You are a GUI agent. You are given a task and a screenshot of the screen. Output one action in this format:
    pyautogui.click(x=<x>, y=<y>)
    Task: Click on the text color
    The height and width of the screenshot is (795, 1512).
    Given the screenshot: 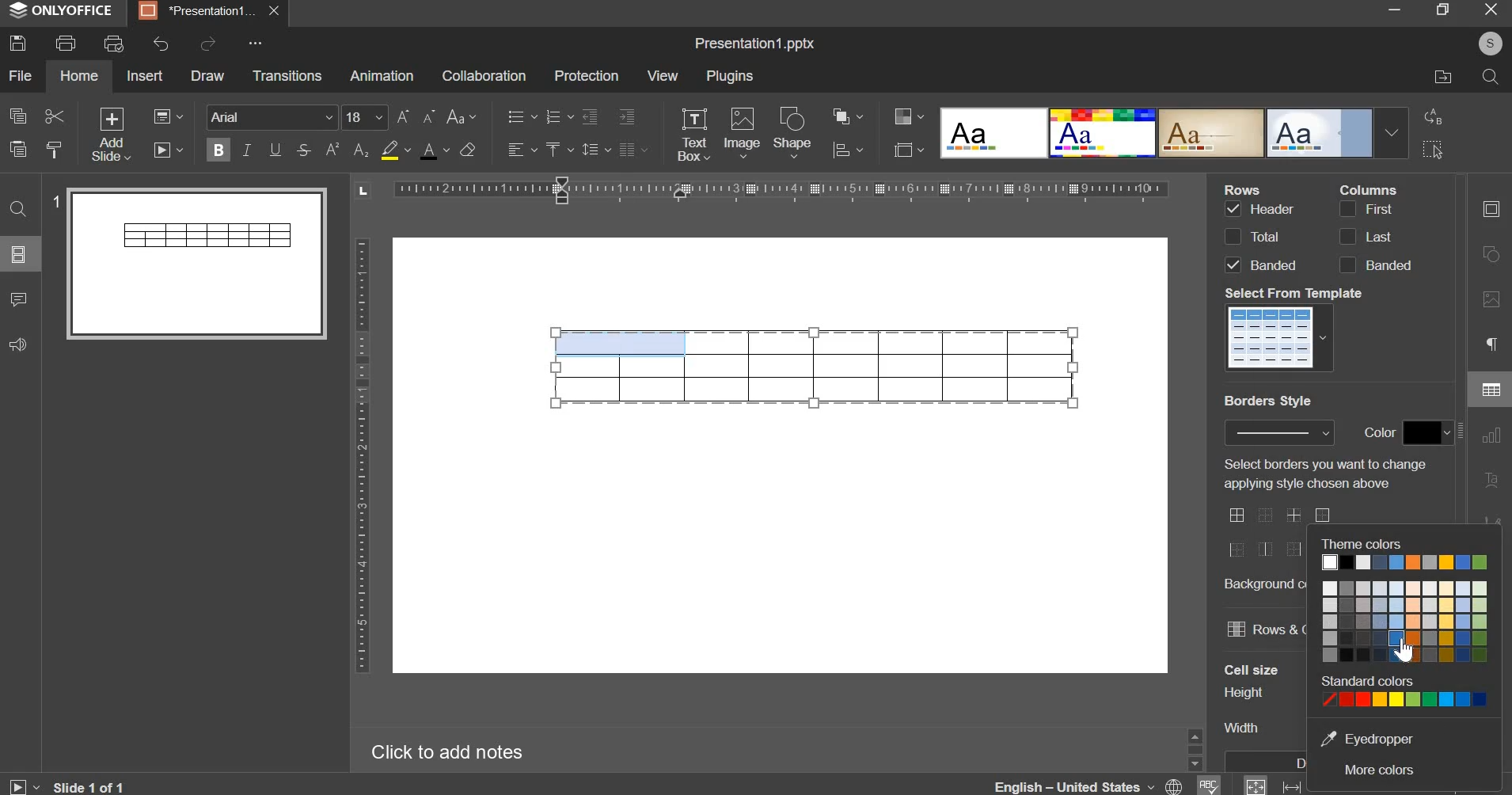 What is the action you would take?
    pyautogui.click(x=434, y=150)
    